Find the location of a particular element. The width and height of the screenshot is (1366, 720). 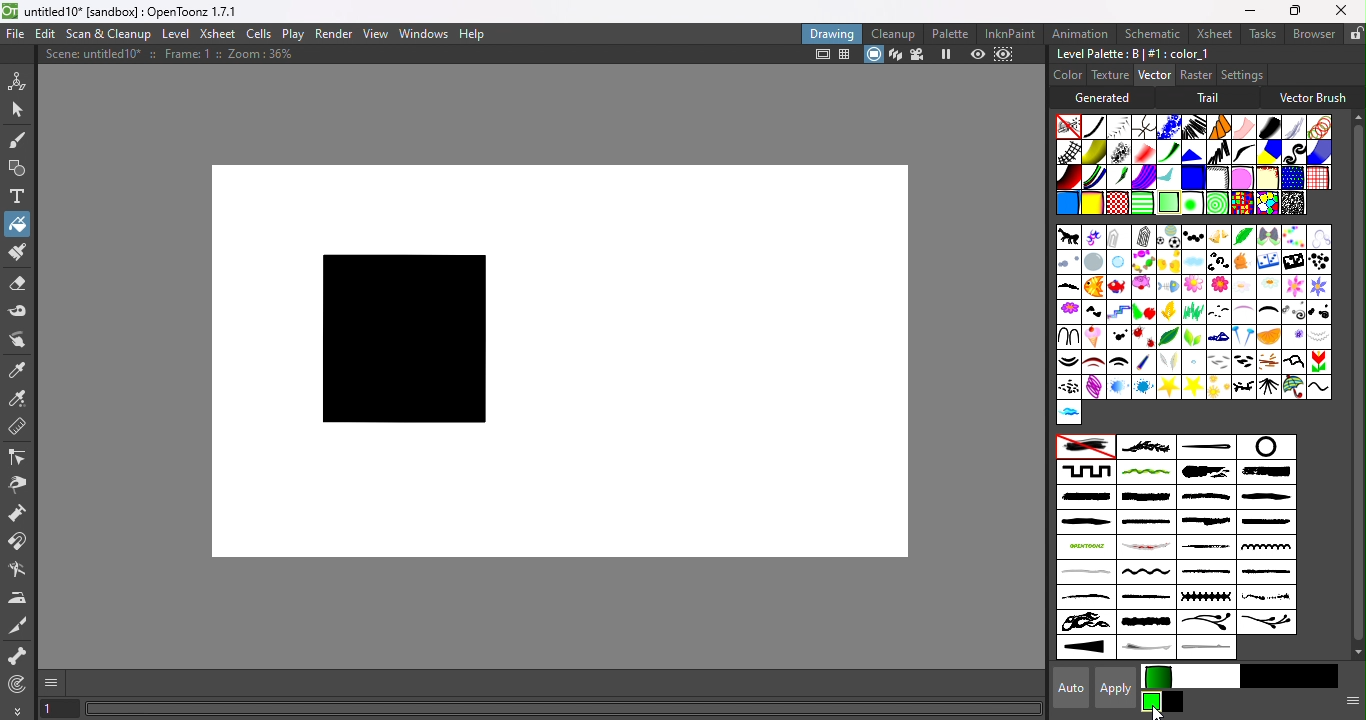

Tulle is located at coordinates (1244, 127).